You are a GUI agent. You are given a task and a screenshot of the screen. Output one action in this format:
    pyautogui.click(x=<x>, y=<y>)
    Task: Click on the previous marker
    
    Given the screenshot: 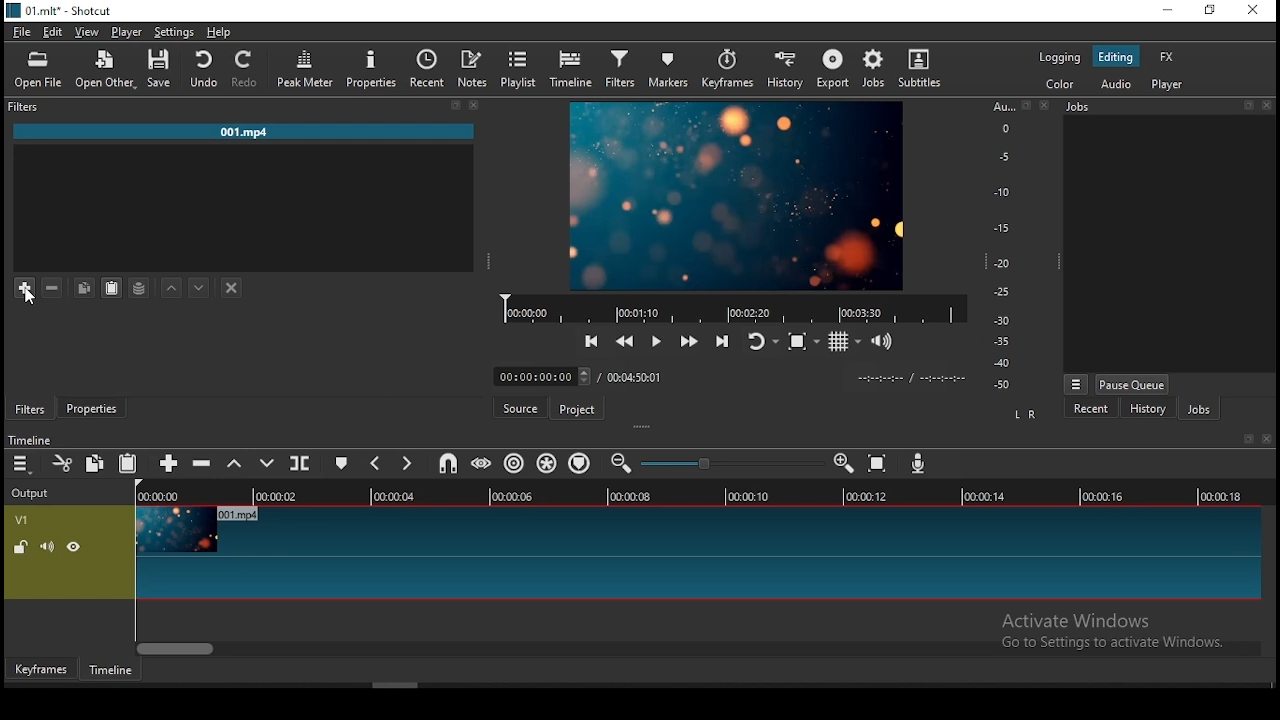 What is the action you would take?
    pyautogui.click(x=376, y=463)
    